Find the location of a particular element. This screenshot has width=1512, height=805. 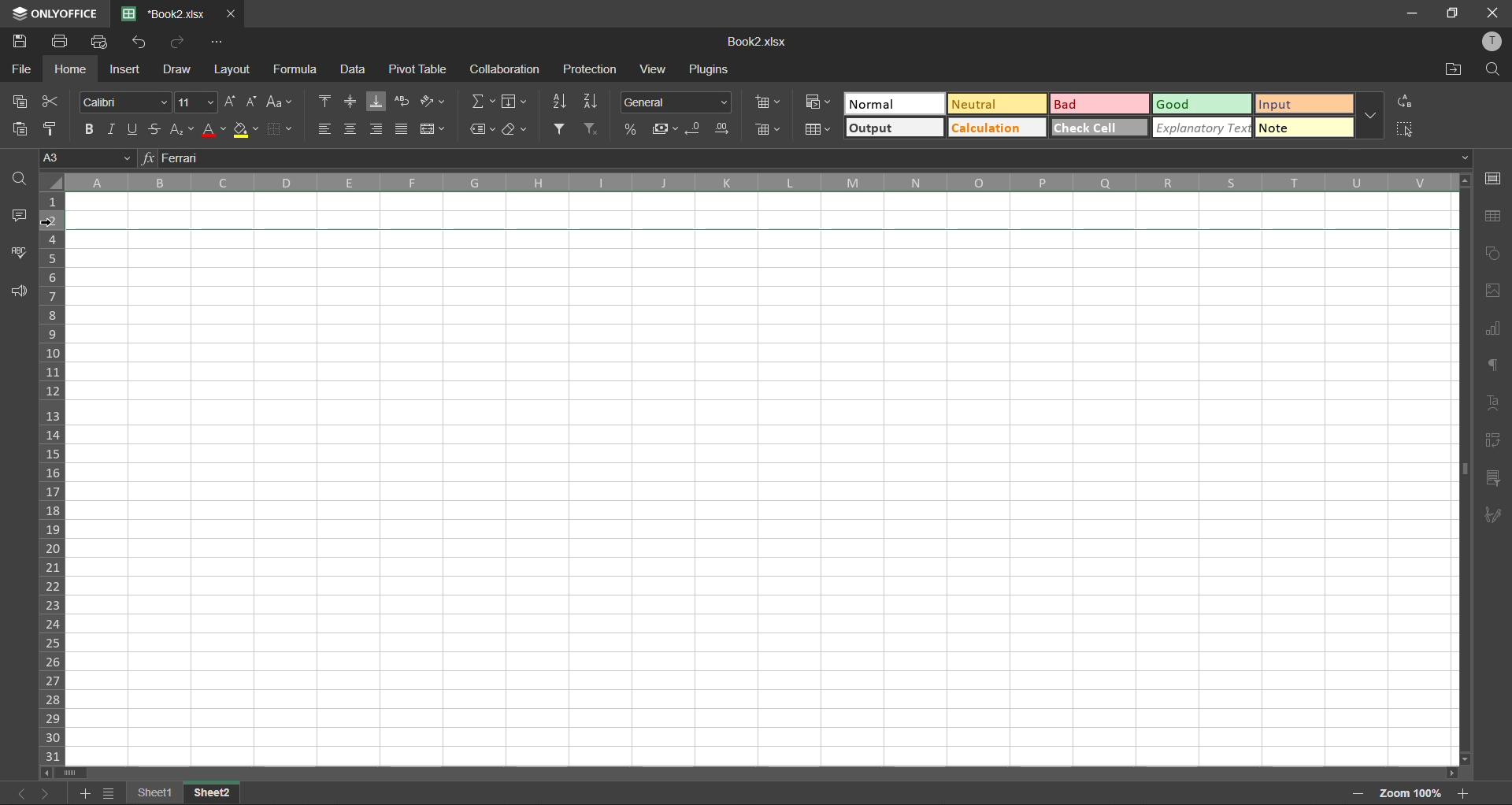

view is located at coordinates (652, 69).